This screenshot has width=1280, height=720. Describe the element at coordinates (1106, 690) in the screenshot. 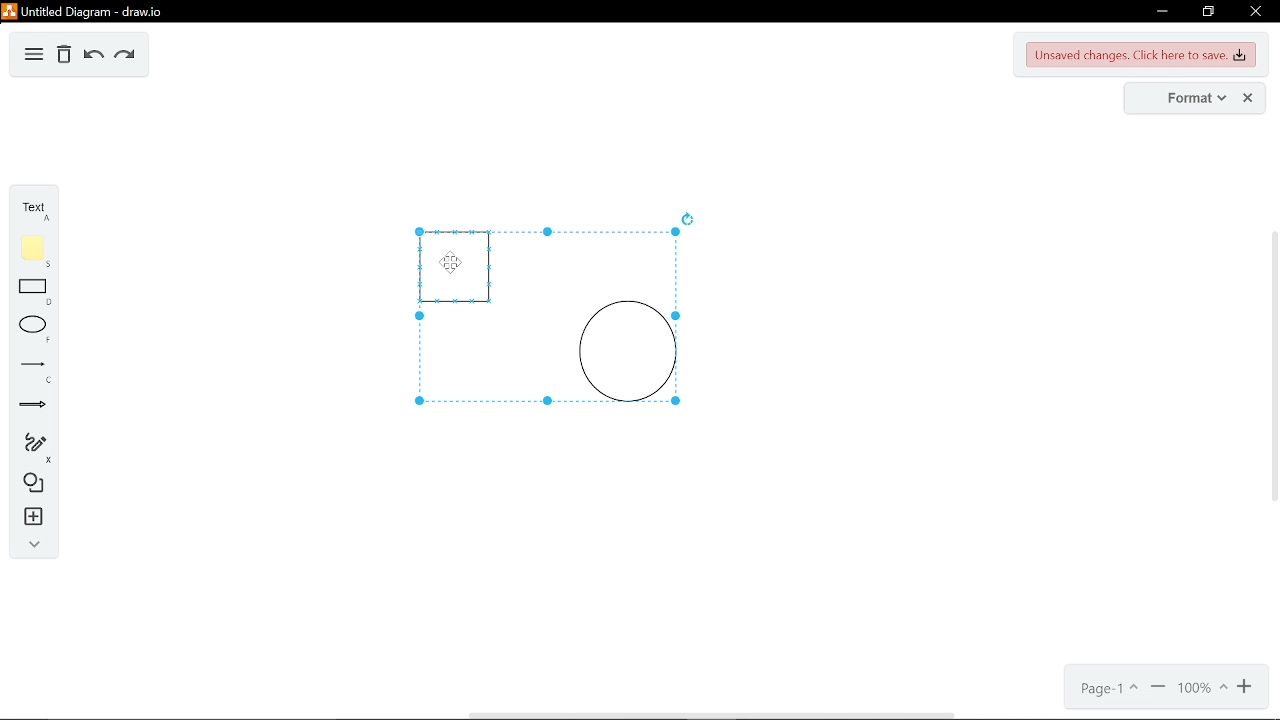

I see `current page` at that location.